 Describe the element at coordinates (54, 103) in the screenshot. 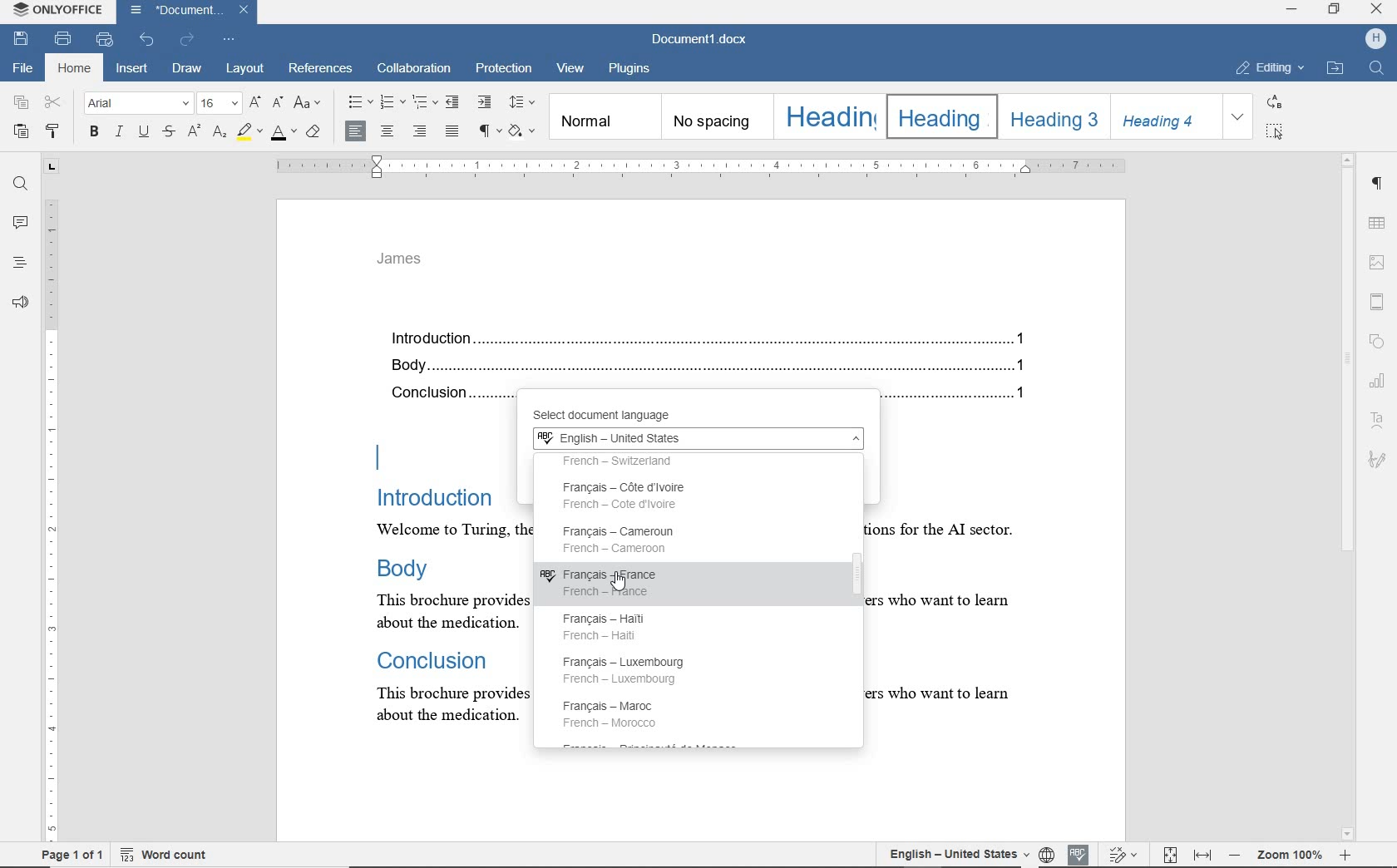

I see `cut` at that location.